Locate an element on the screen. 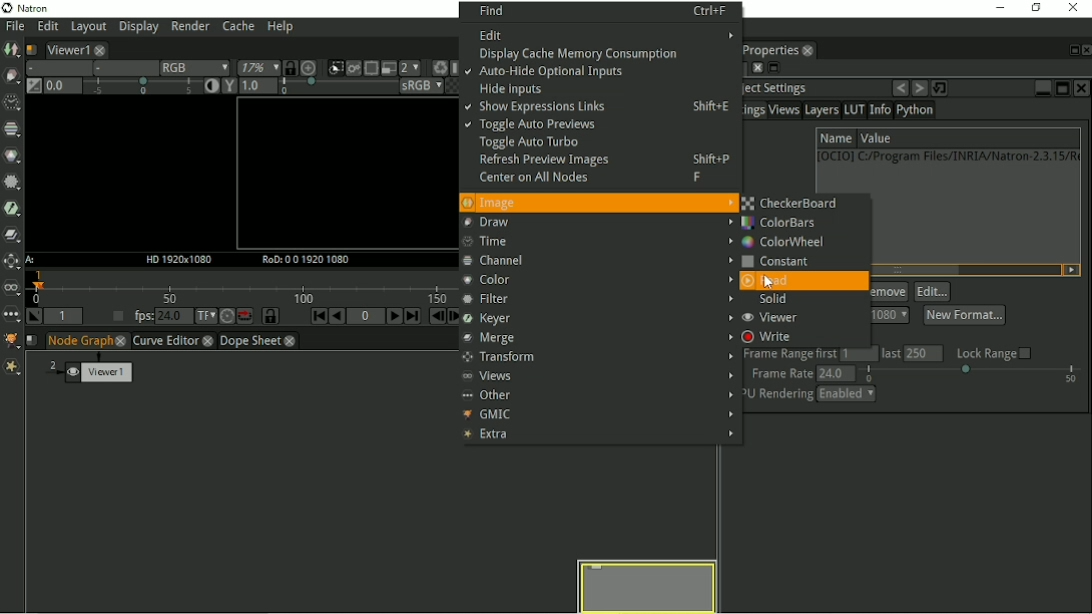 This screenshot has width=1092, height=614. Enables the region of interest that limit the portion of the viewer is located at coordinates (370, 67).